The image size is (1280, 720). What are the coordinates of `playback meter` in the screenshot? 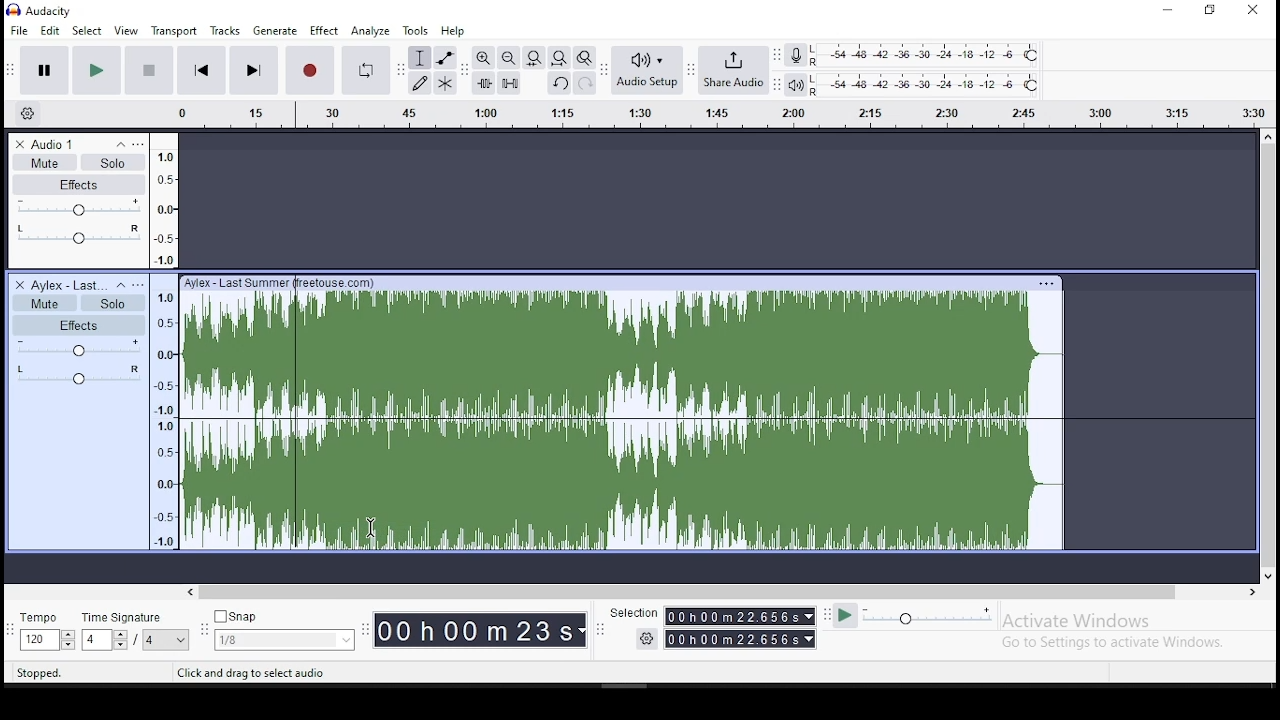 It's located at (795, 84).